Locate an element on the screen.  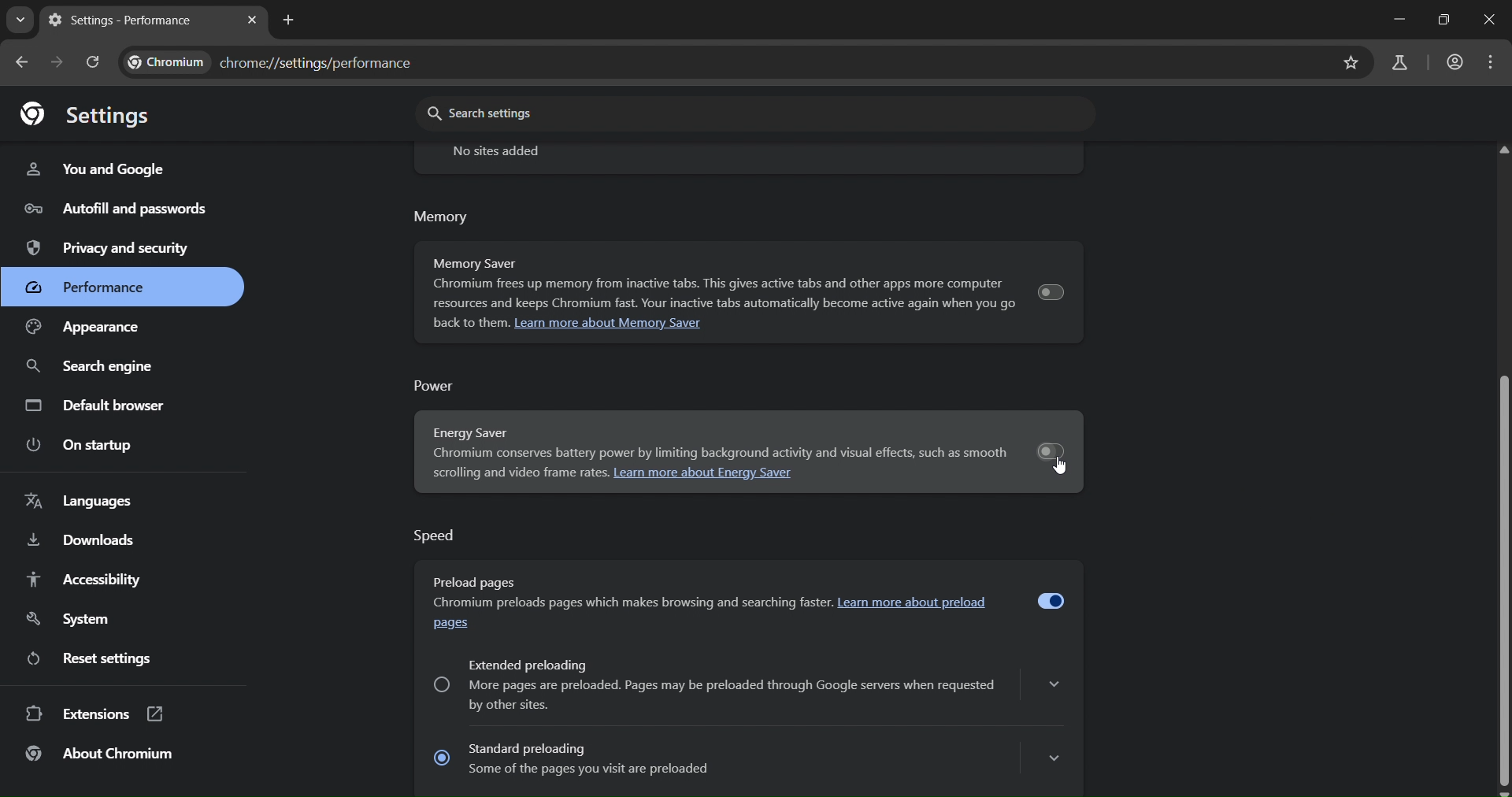
languages is located at coordinates (80, 500).